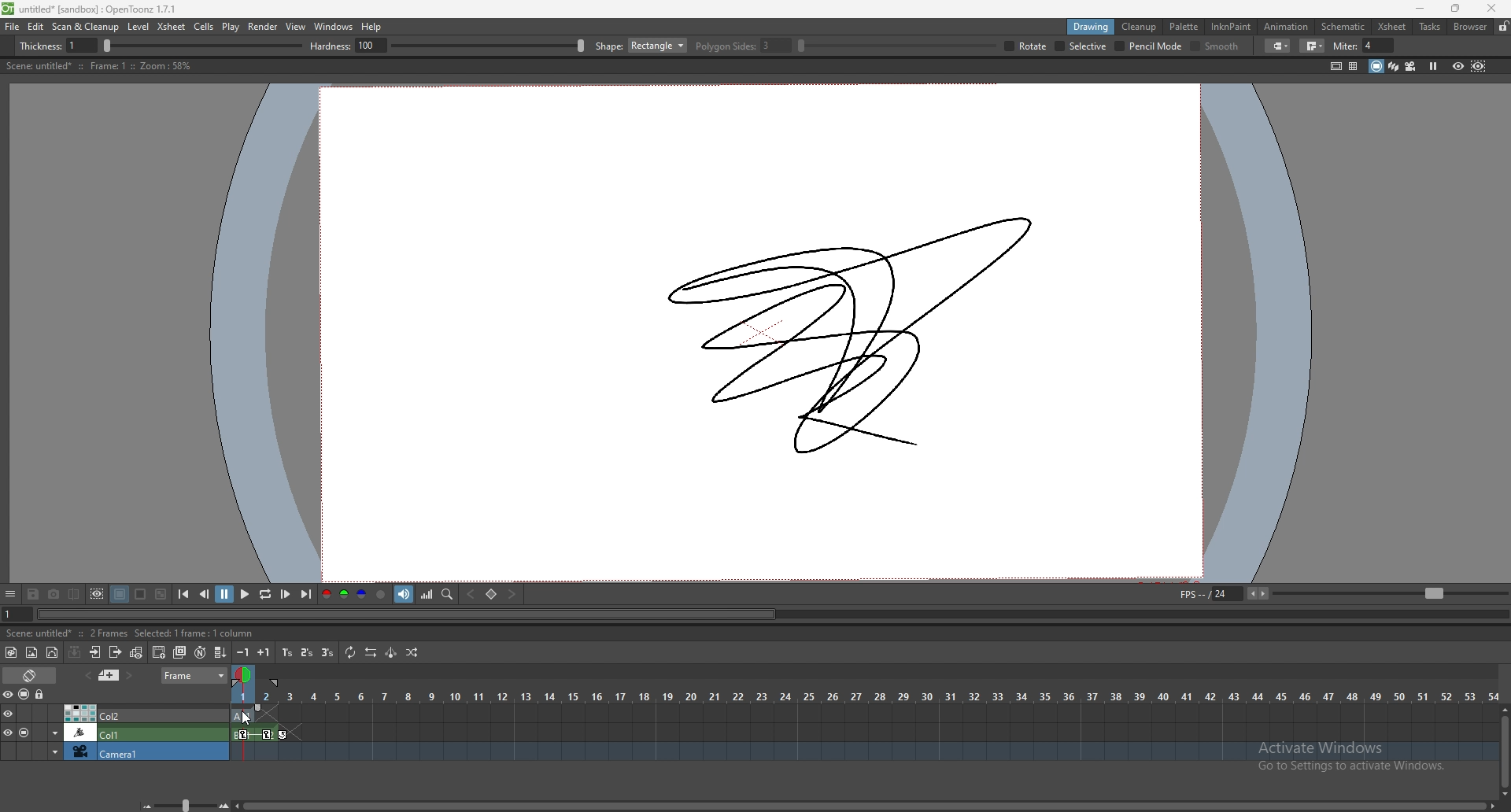  I want to click on reframe on 2s, so click(308, 654).